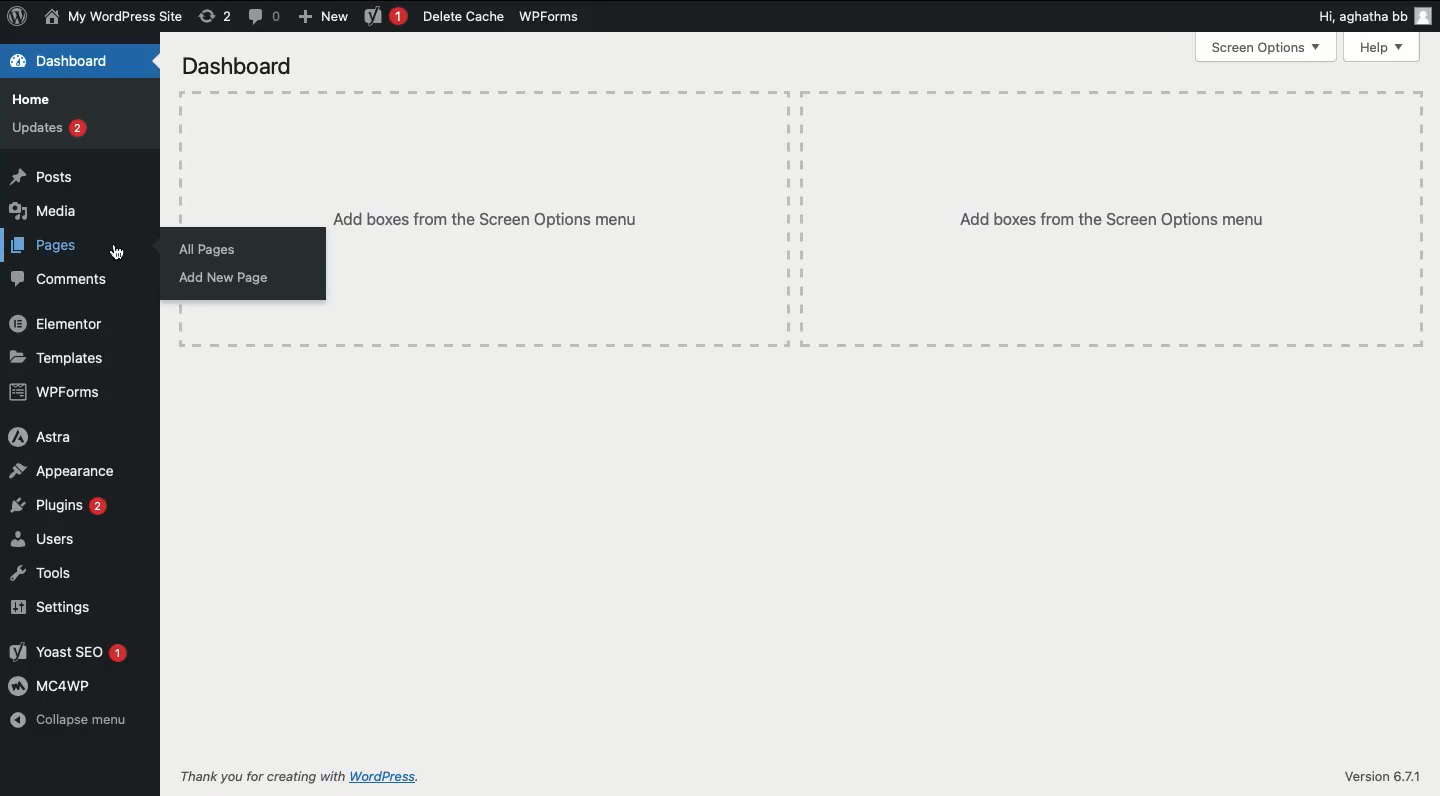  I want to click on Yoast, so click(384, 17).